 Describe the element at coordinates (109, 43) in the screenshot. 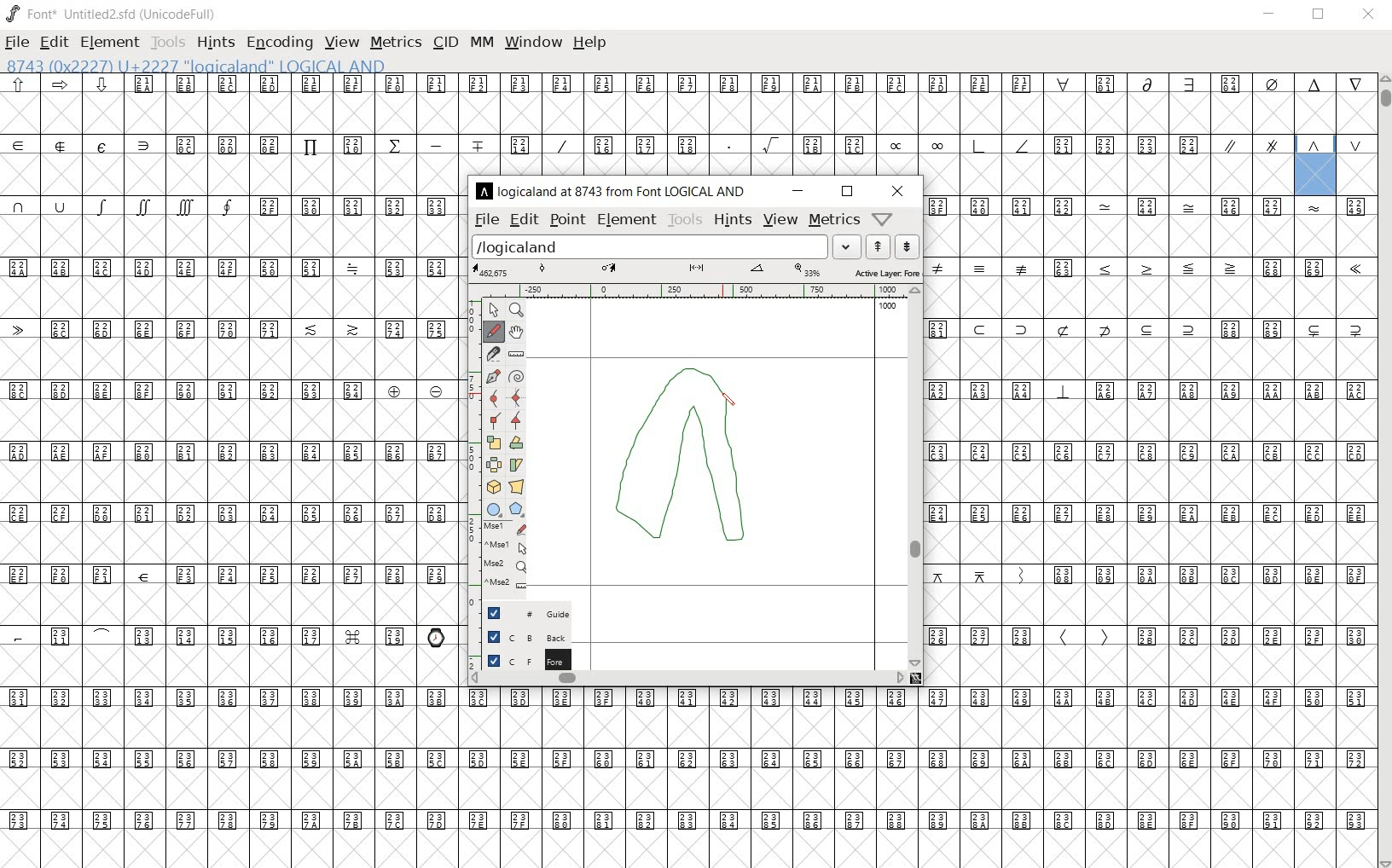

I see `element` at that location.